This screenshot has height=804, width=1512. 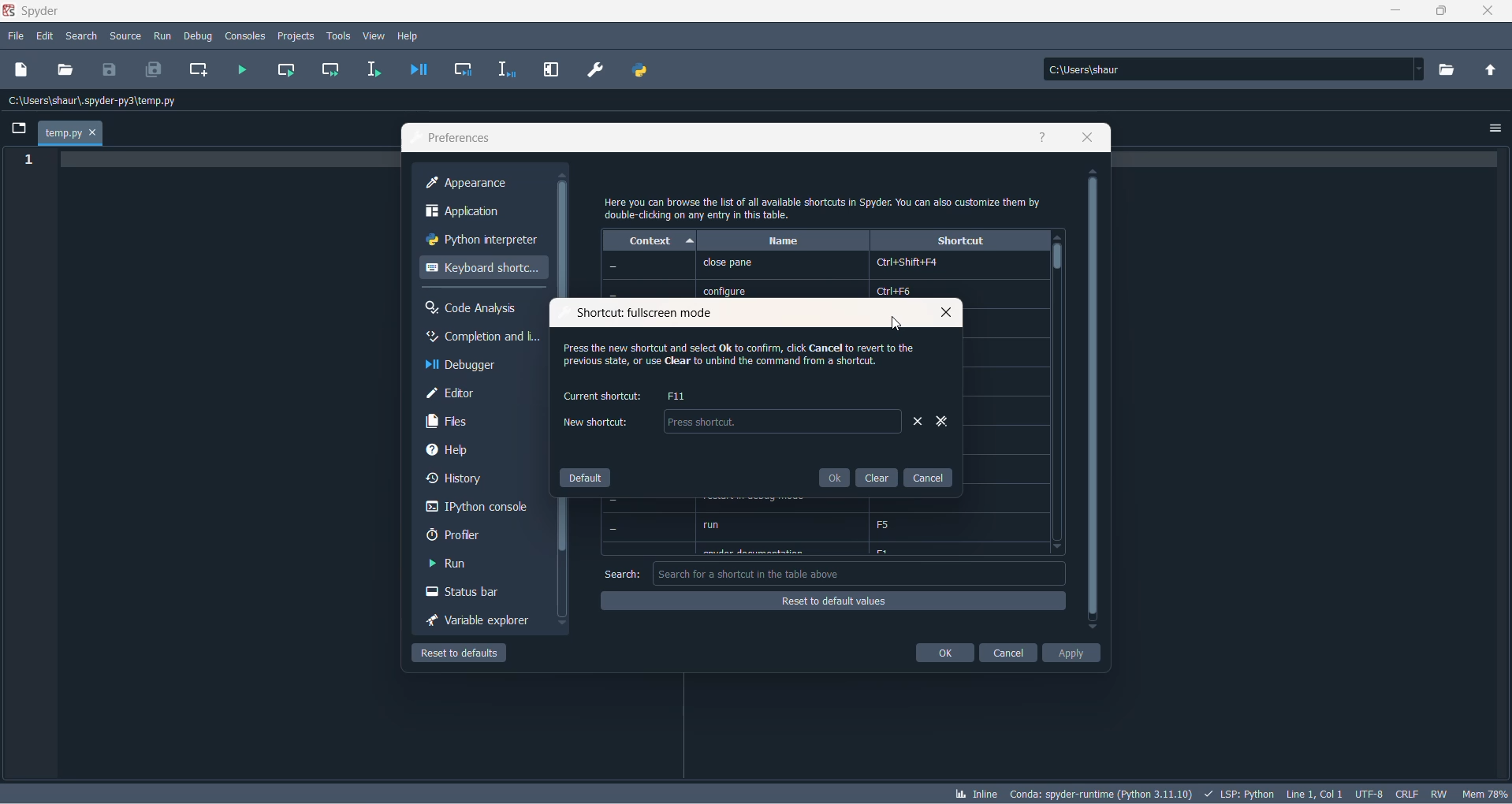 I want to click on inline, so click(x=975, y=795).